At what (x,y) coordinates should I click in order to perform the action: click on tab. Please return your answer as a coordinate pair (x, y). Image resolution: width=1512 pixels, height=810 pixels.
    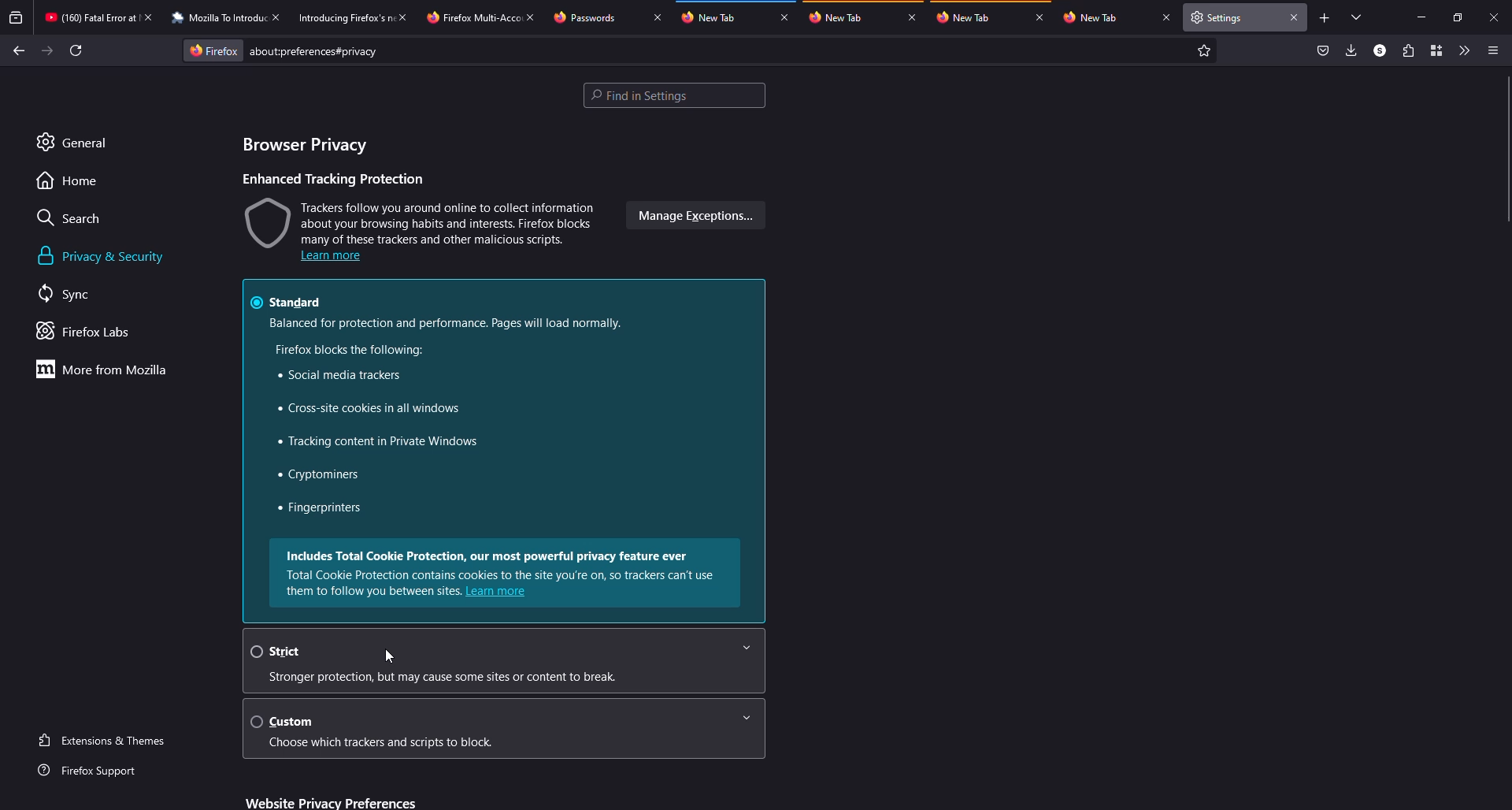
    Looking at the image, I should click on (218, 18).